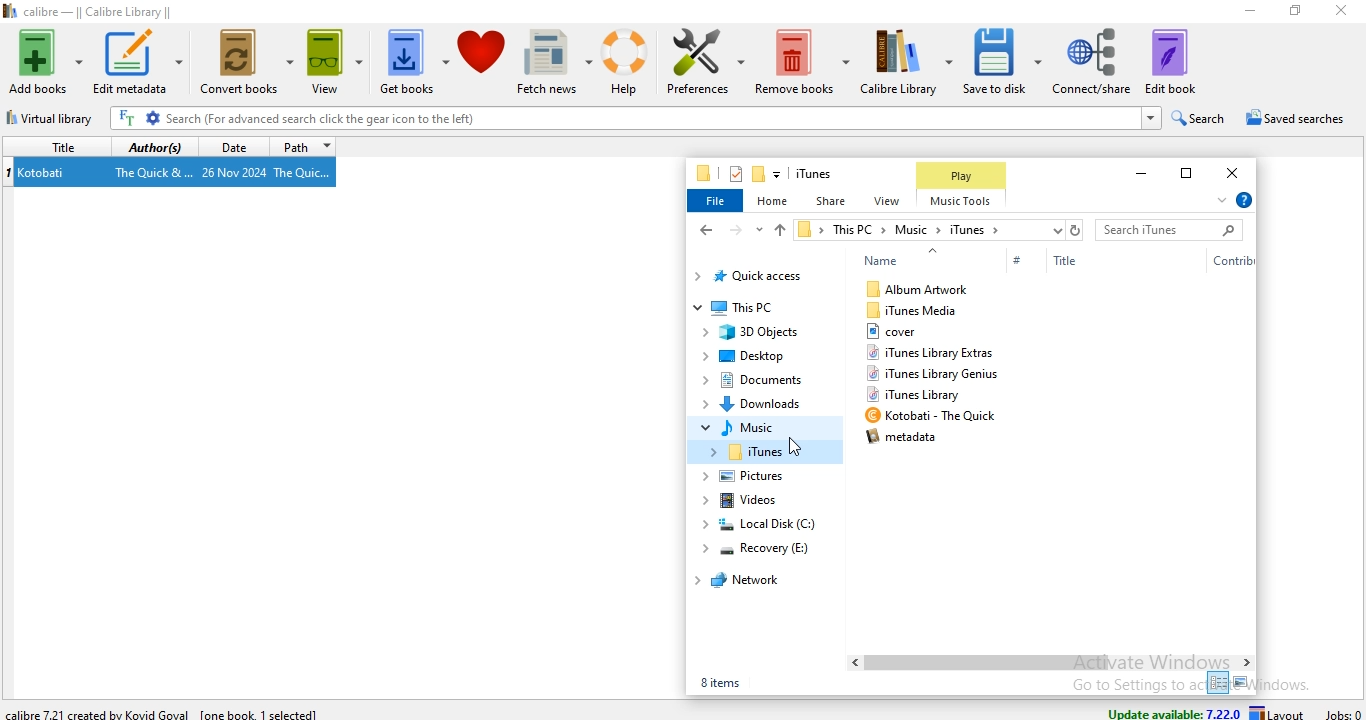  I want to click on Kotobati - The Quick, so click(946, 416).